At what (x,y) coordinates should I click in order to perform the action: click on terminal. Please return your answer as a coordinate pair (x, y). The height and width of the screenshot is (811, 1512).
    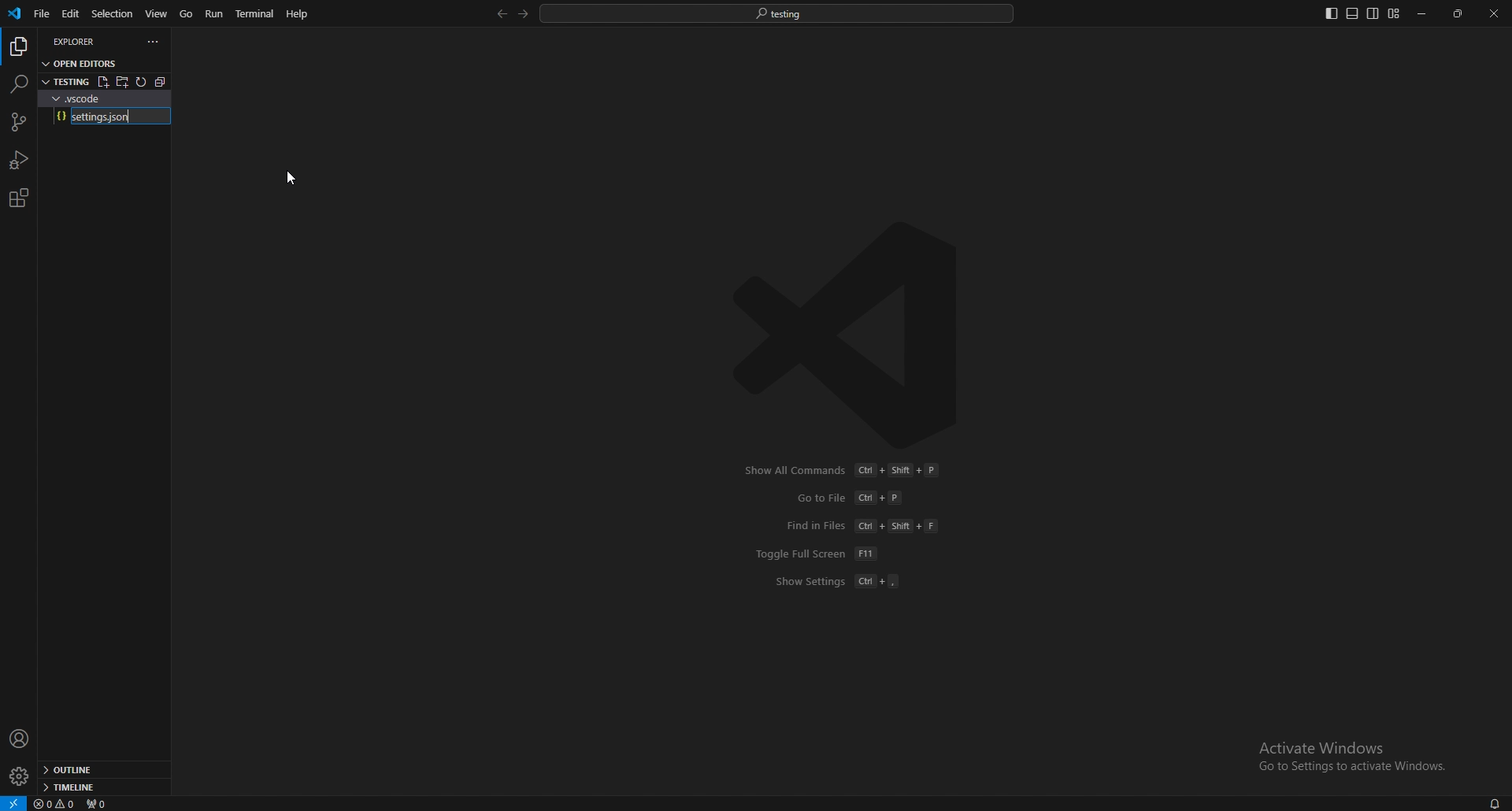
    Looking at the image, I should click on (258, 14).